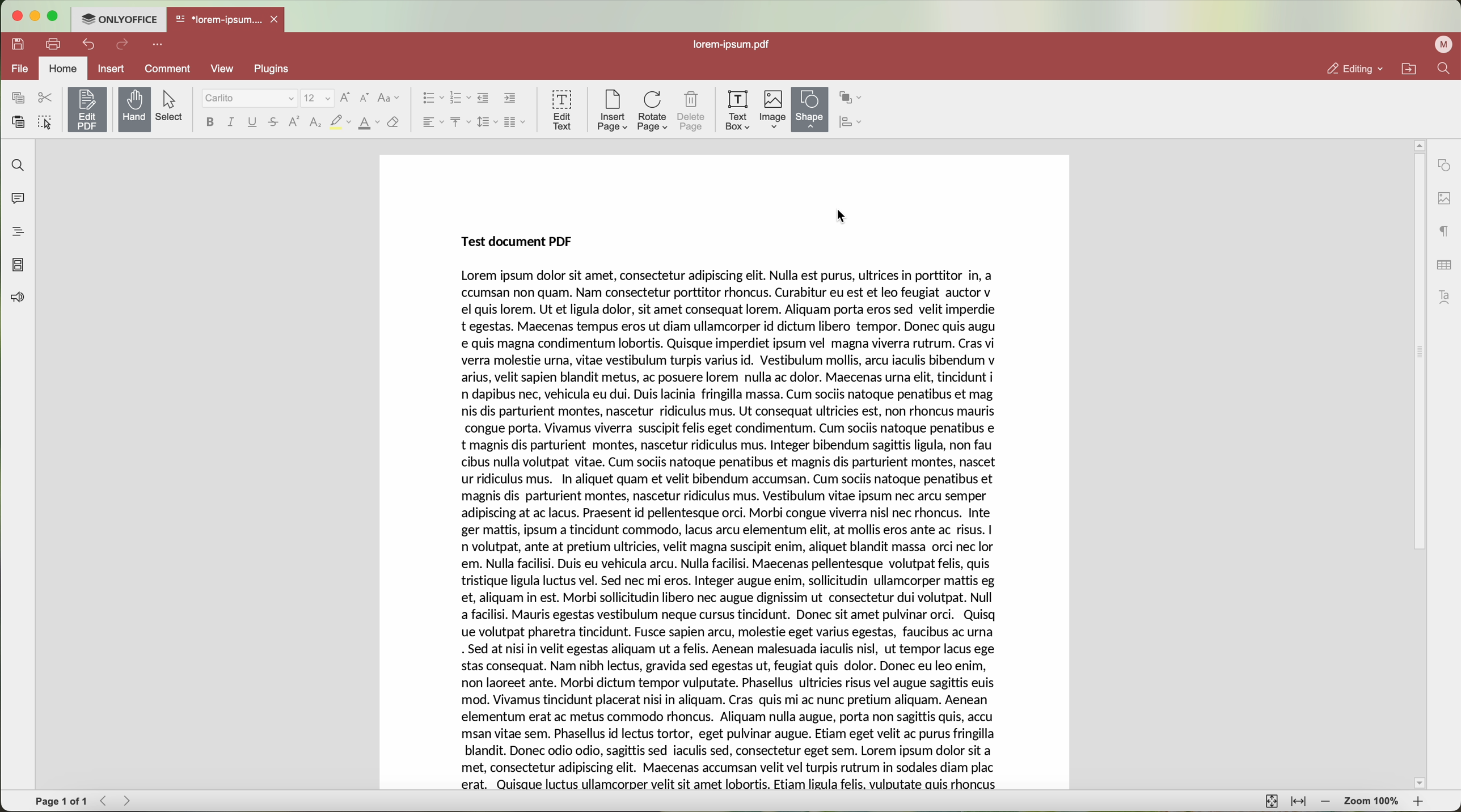 The image size is (1461, 812). I want to click on save, so click(19, 43).